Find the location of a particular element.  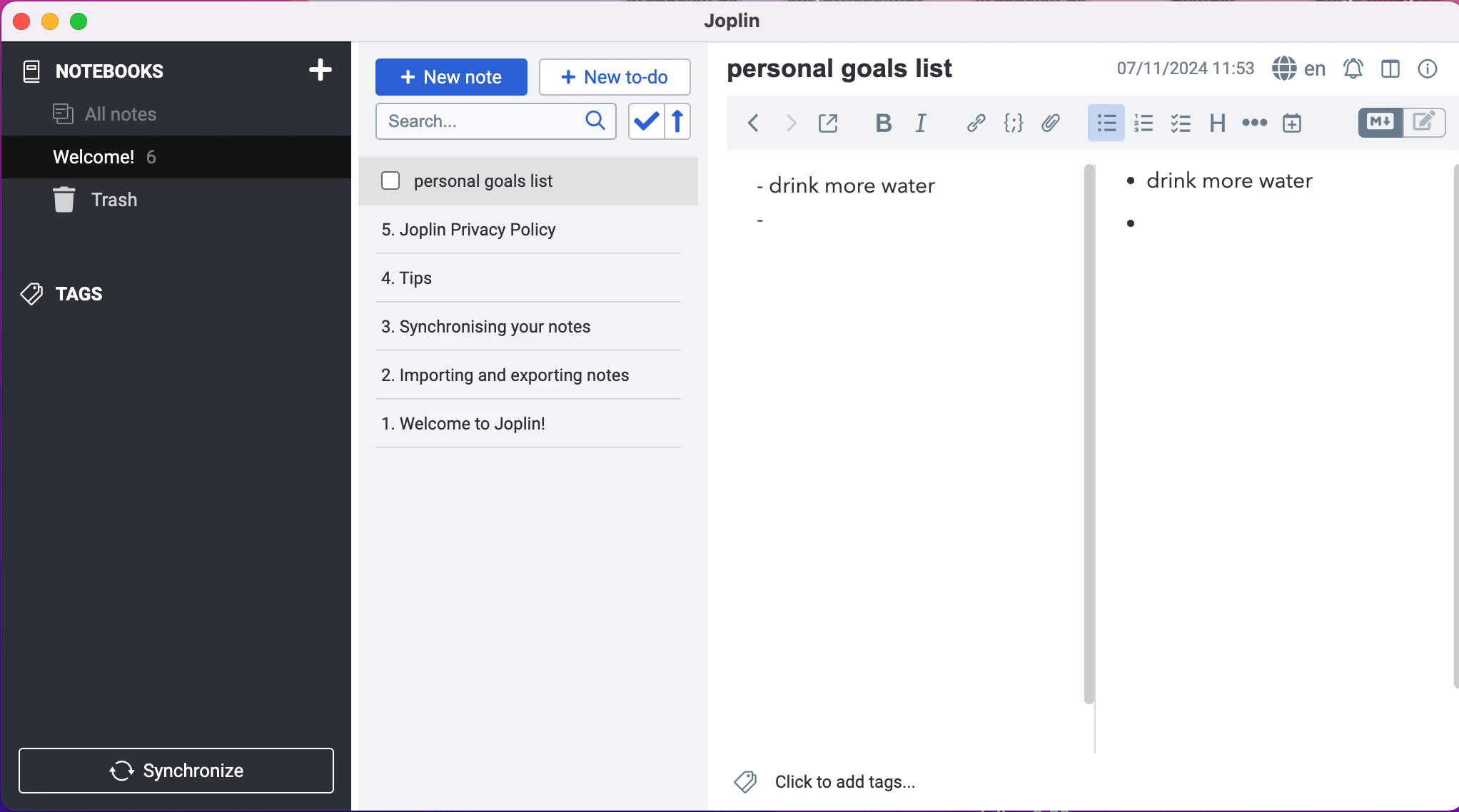

drink more water is located at coordinates (844, 184).